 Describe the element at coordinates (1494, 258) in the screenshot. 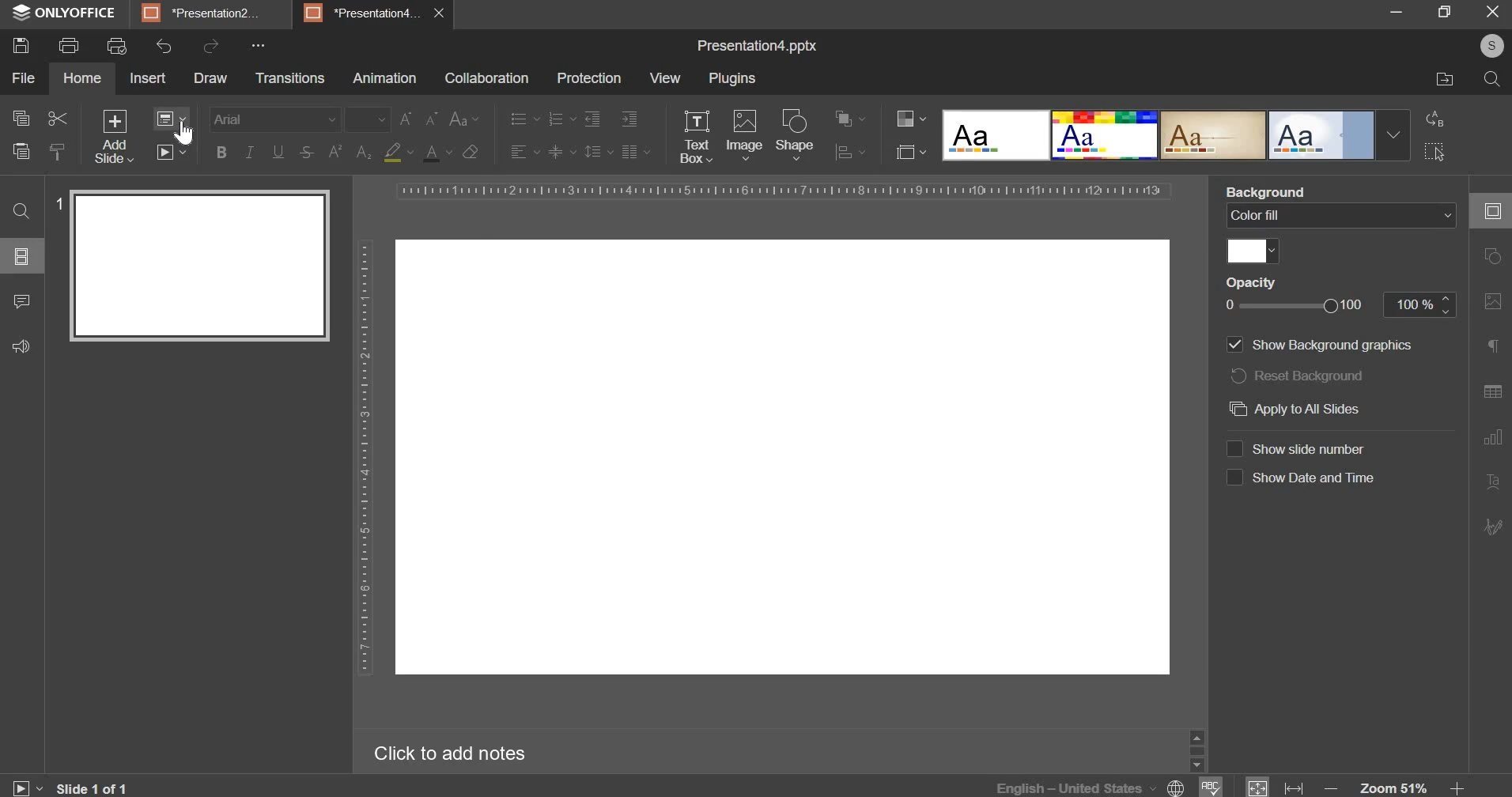

I see `shape setting` at that location.